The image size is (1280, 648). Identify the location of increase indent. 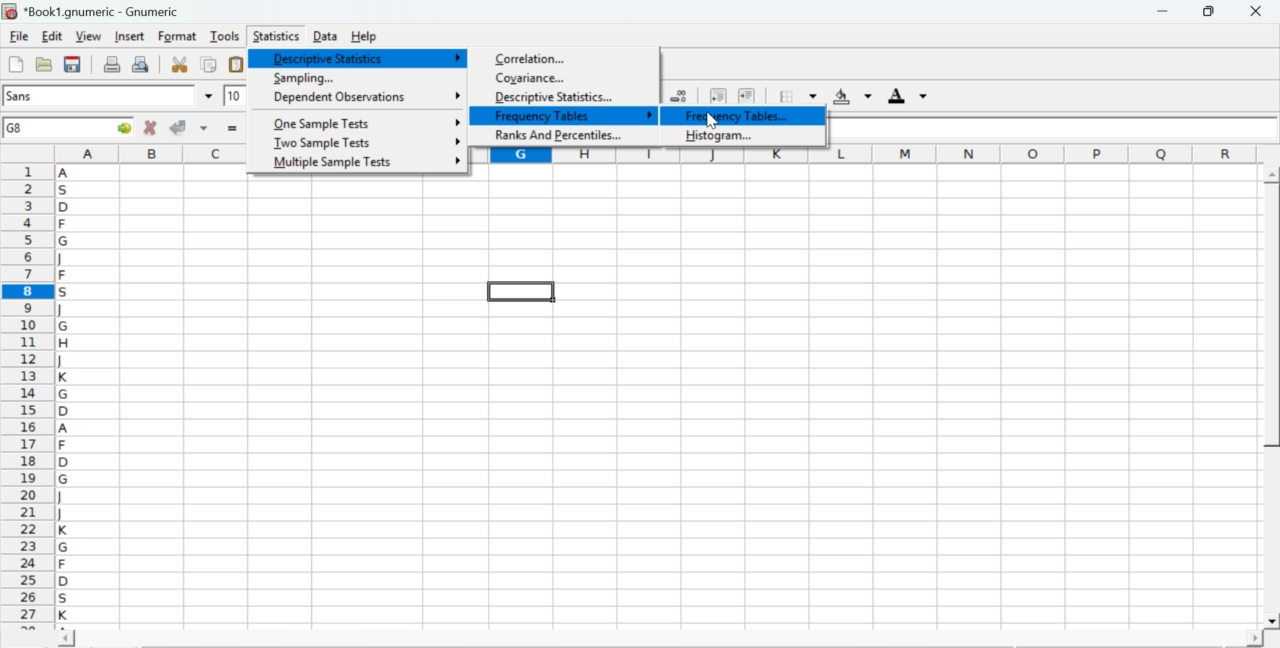
(746, 97).